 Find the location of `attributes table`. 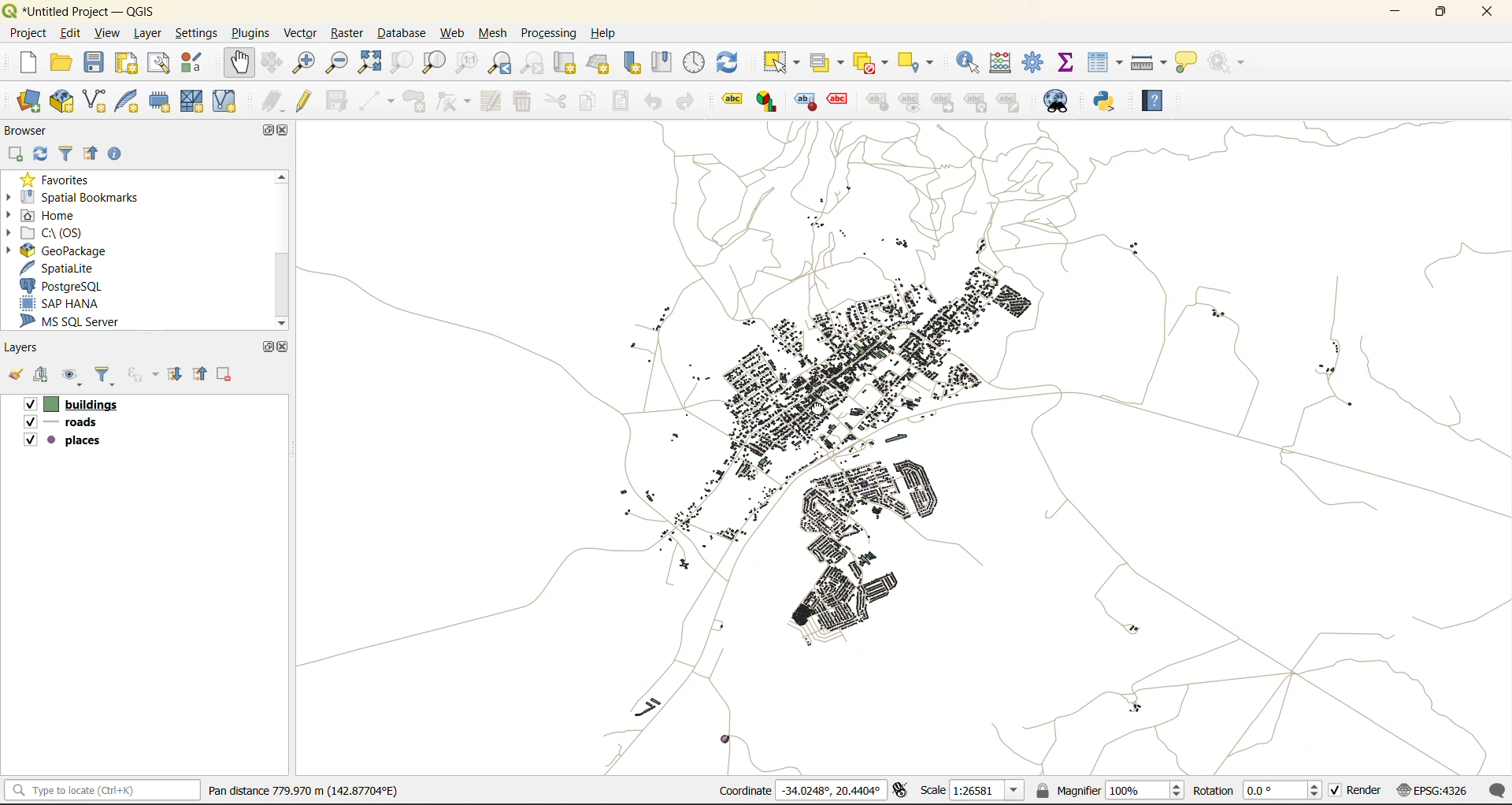

attributes table is located at coordinates (1105, 65).